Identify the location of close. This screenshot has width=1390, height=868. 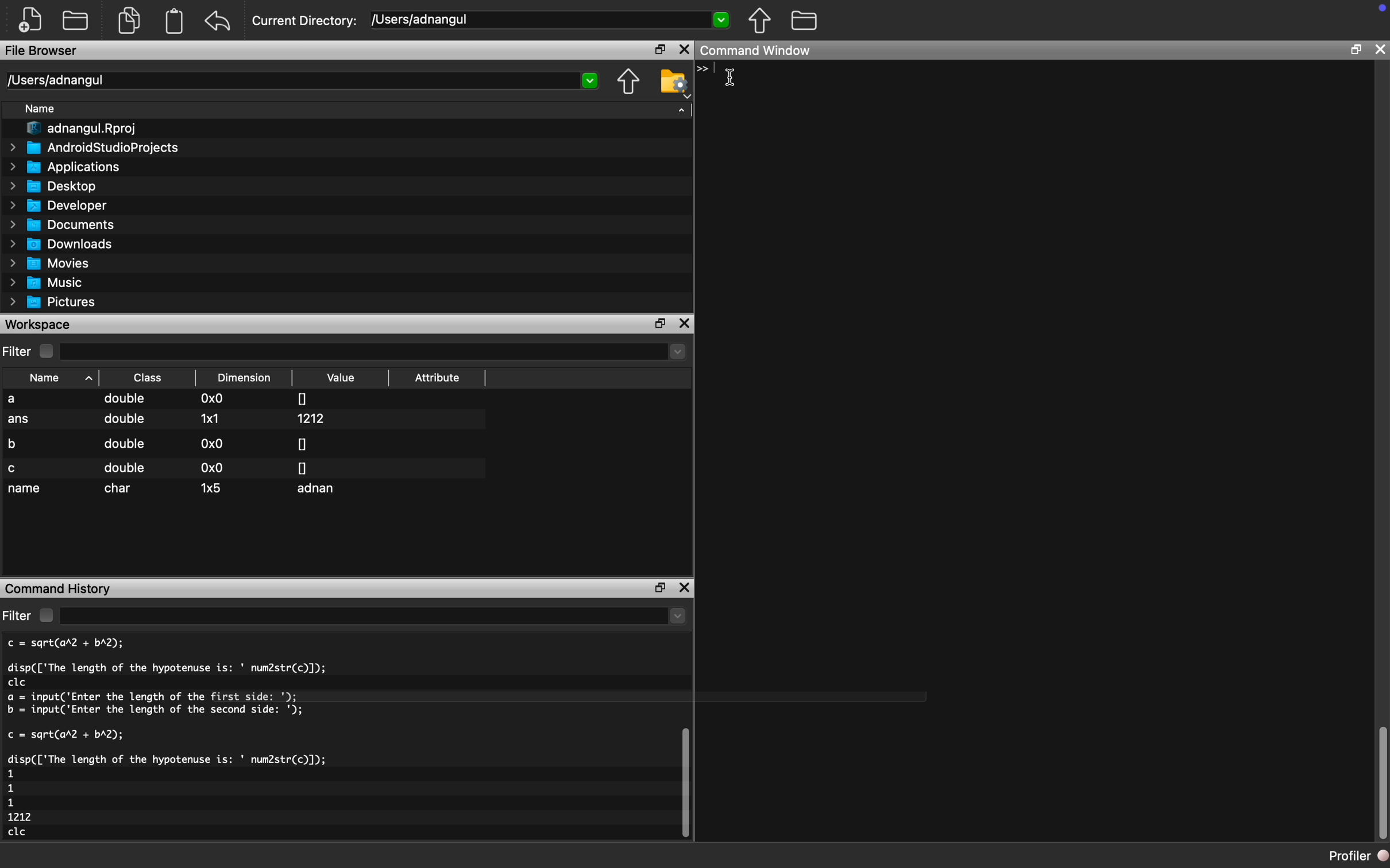
(1381, 49).